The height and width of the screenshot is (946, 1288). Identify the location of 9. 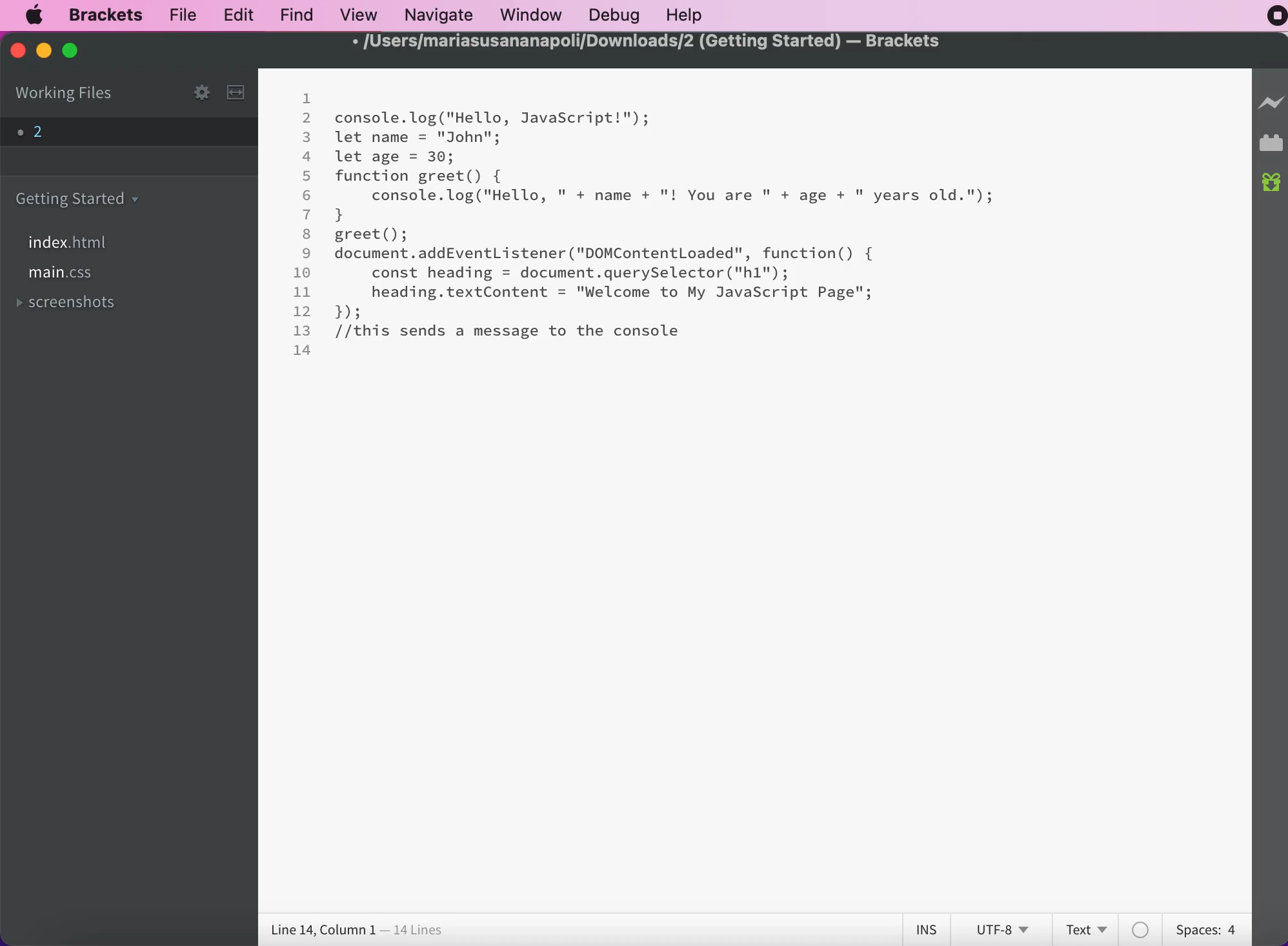
(307, 254).